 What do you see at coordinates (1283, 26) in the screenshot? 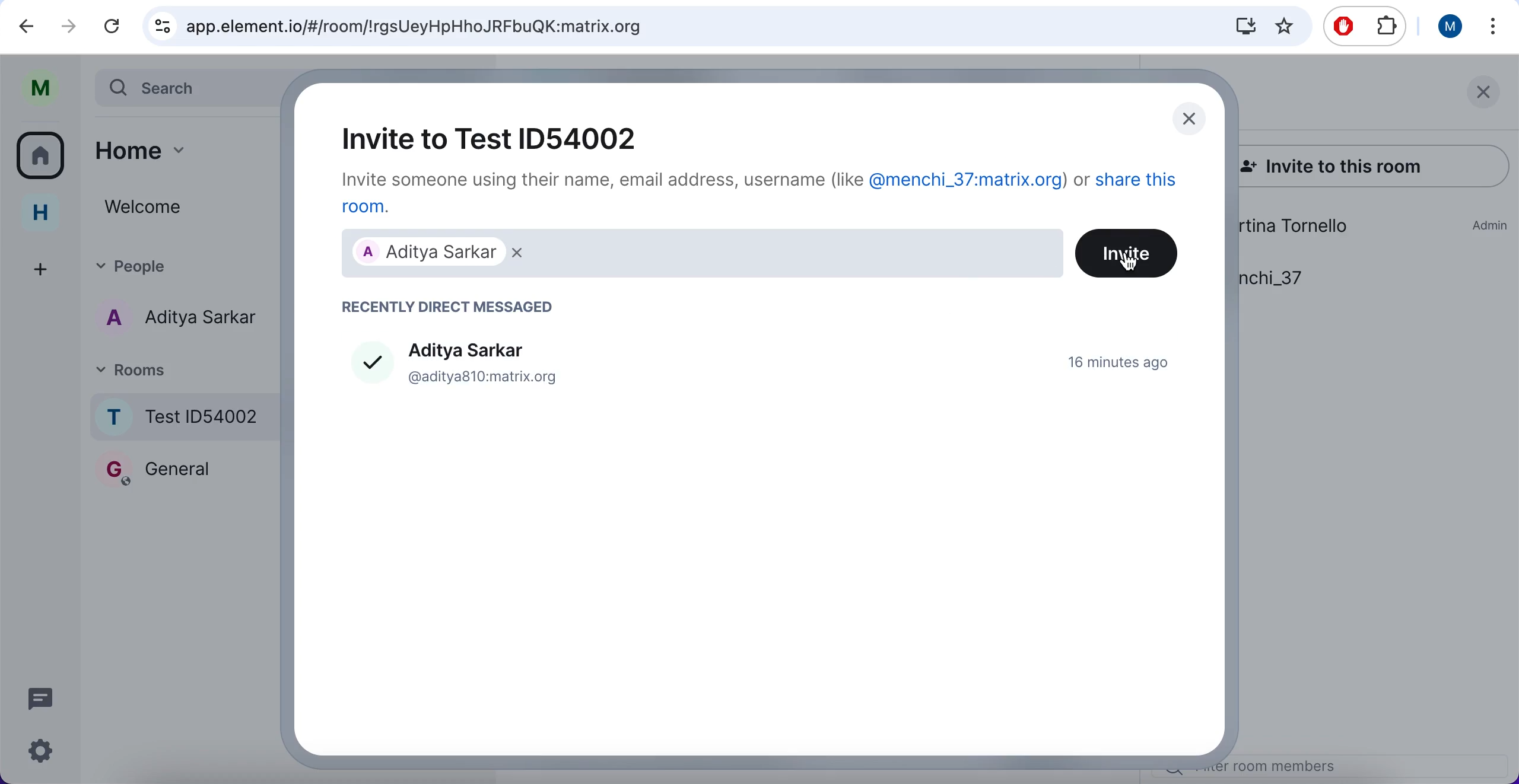
I see `favorites` at bounding box center [1283, 26].